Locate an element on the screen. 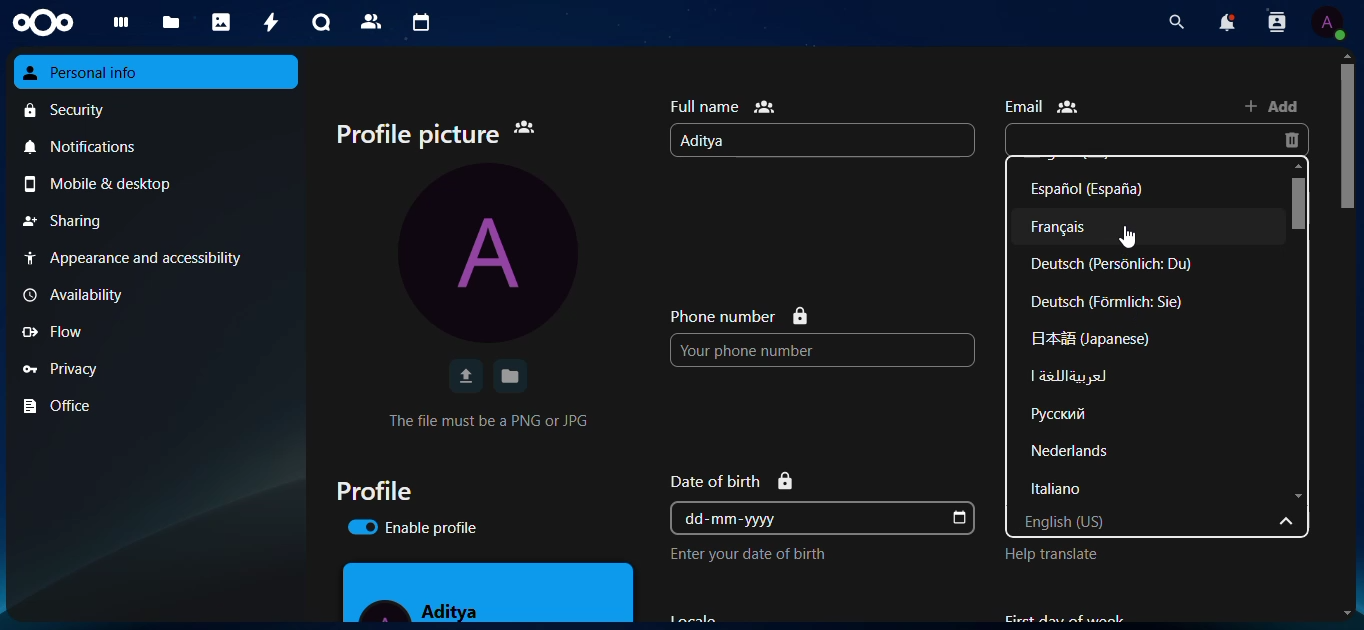 Image resolution: width=1364 pixels, height=630 pixels. dashboard is located at coordinates (123, 23).